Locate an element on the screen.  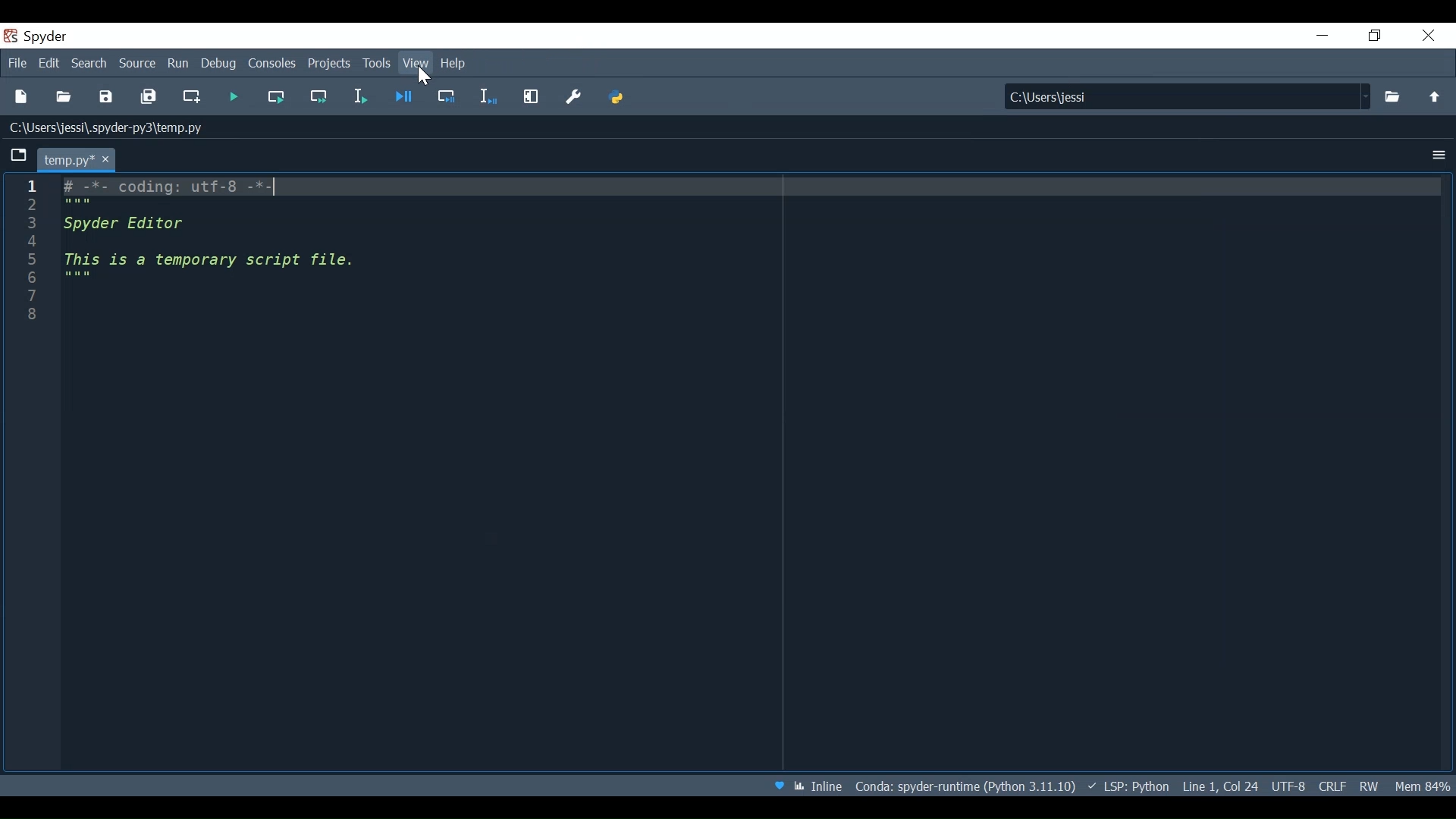
Restore is located at coordinates (1373, 36).